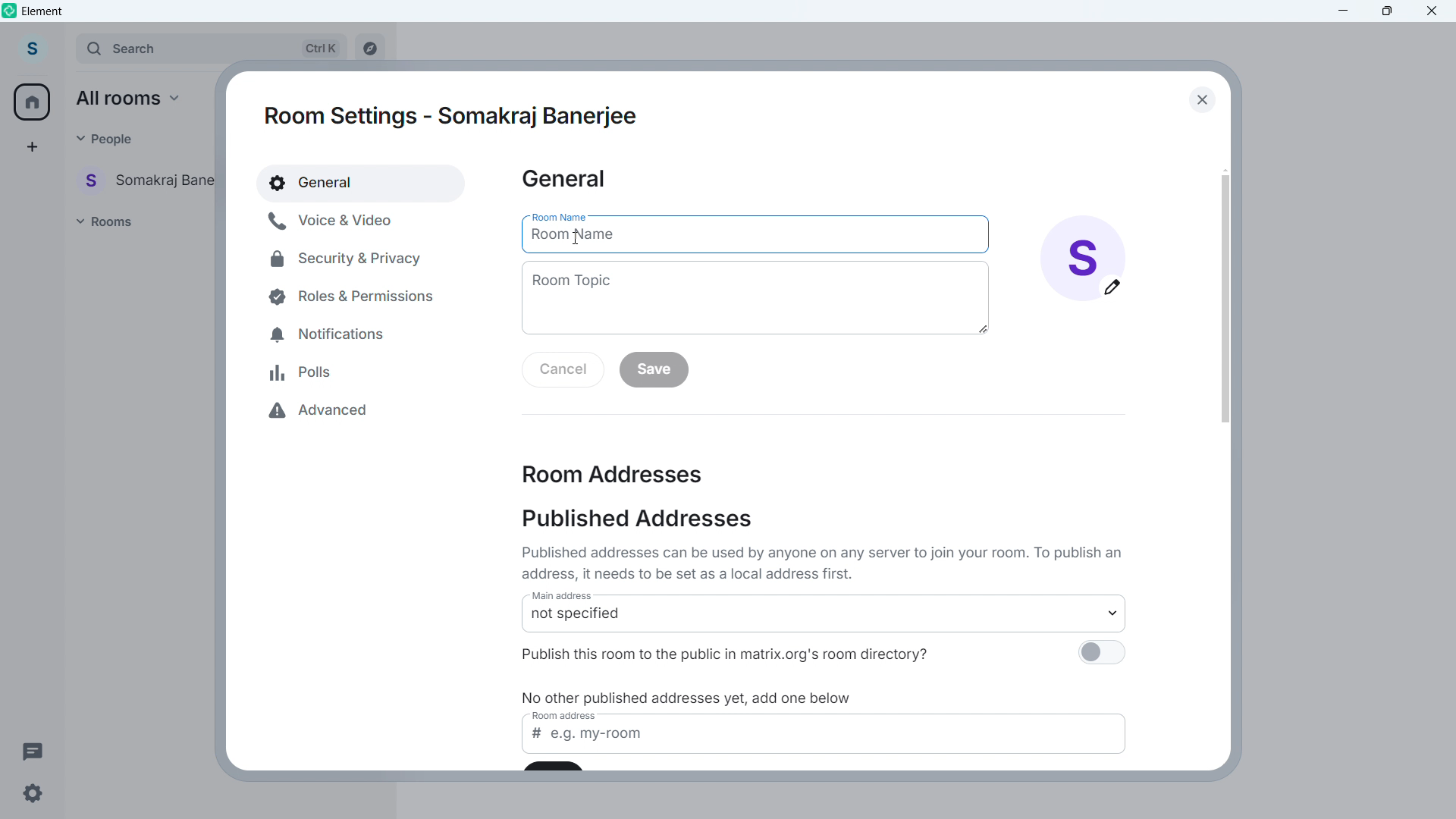 The width and height of the screenshot is (1456, 819). What do you see at coordinates (1432, 12) in the screenshot?
I see `Close ` at bounding box center [1432, 12].